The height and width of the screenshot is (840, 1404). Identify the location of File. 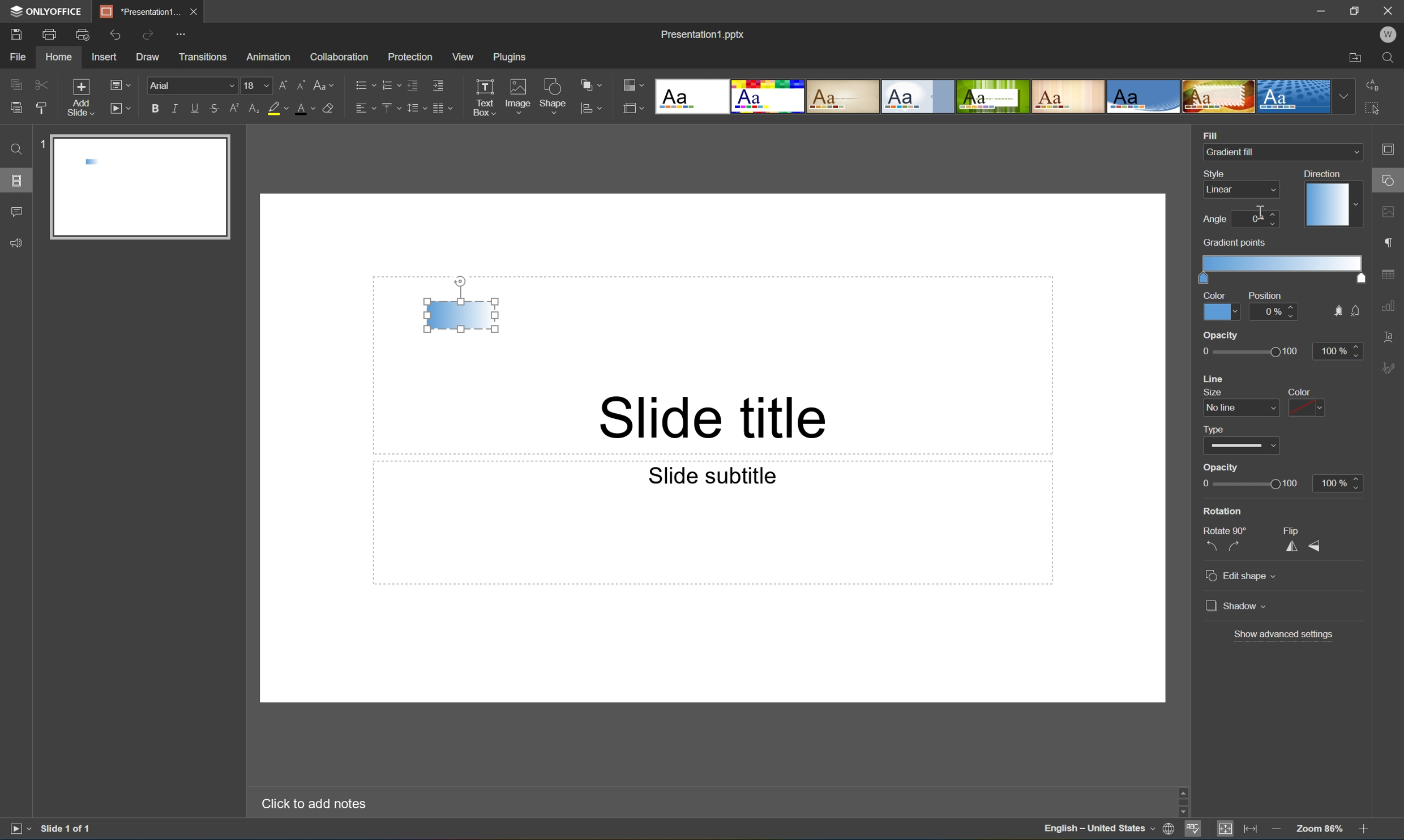
(18, 57).